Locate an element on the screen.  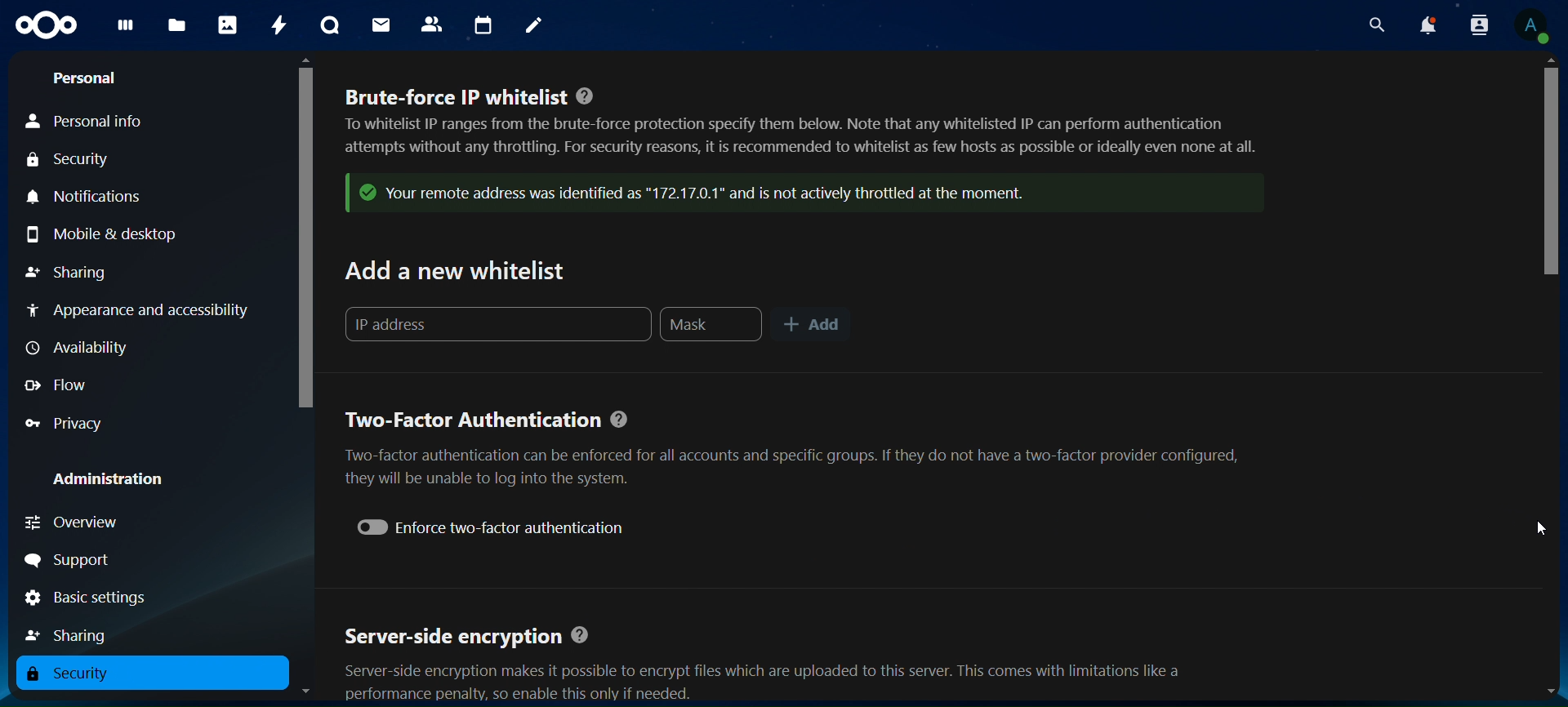
files is located at coordinates (176, 26).